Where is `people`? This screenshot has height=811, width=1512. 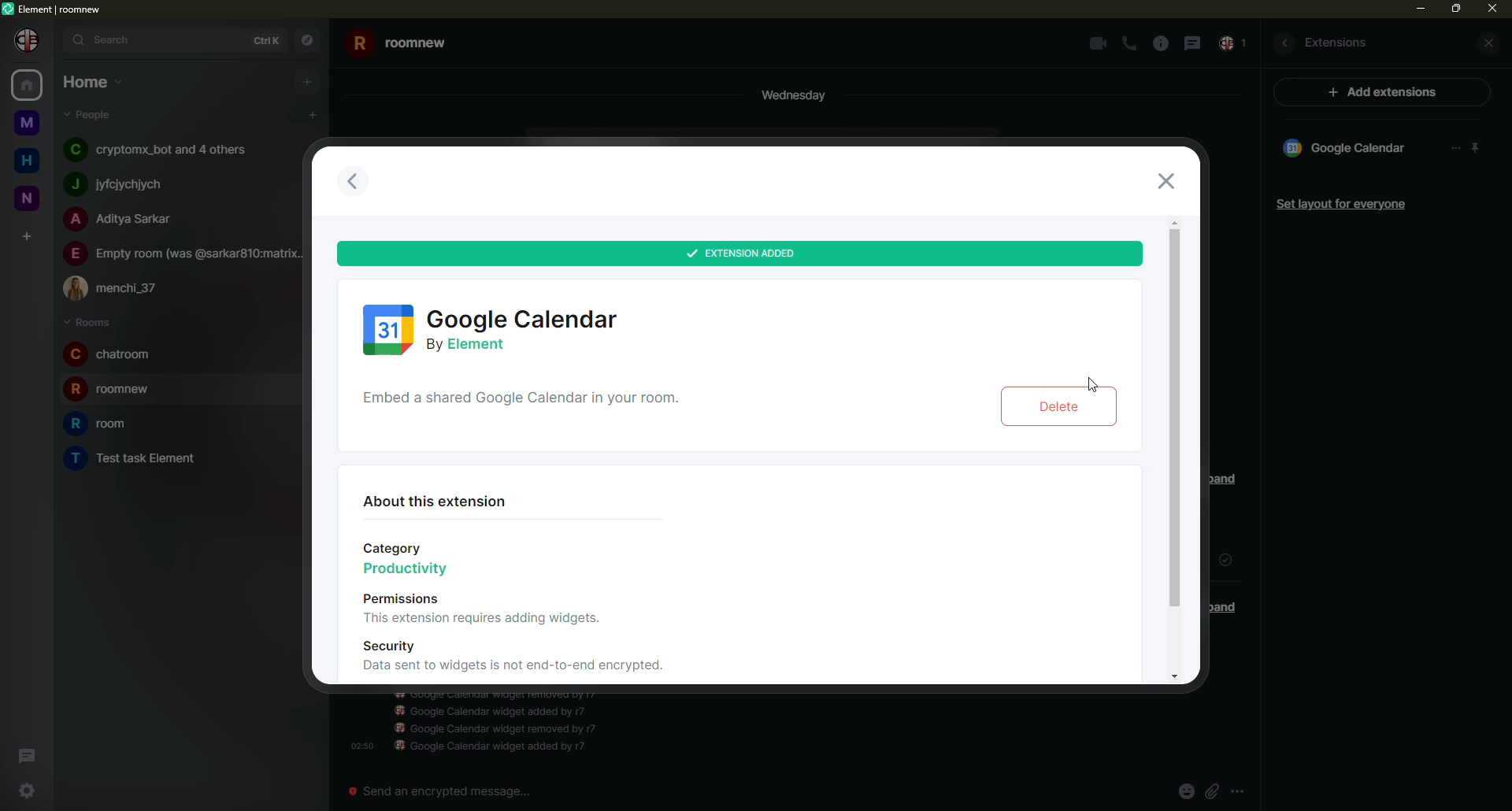
people is located at coordinates (161, 150).